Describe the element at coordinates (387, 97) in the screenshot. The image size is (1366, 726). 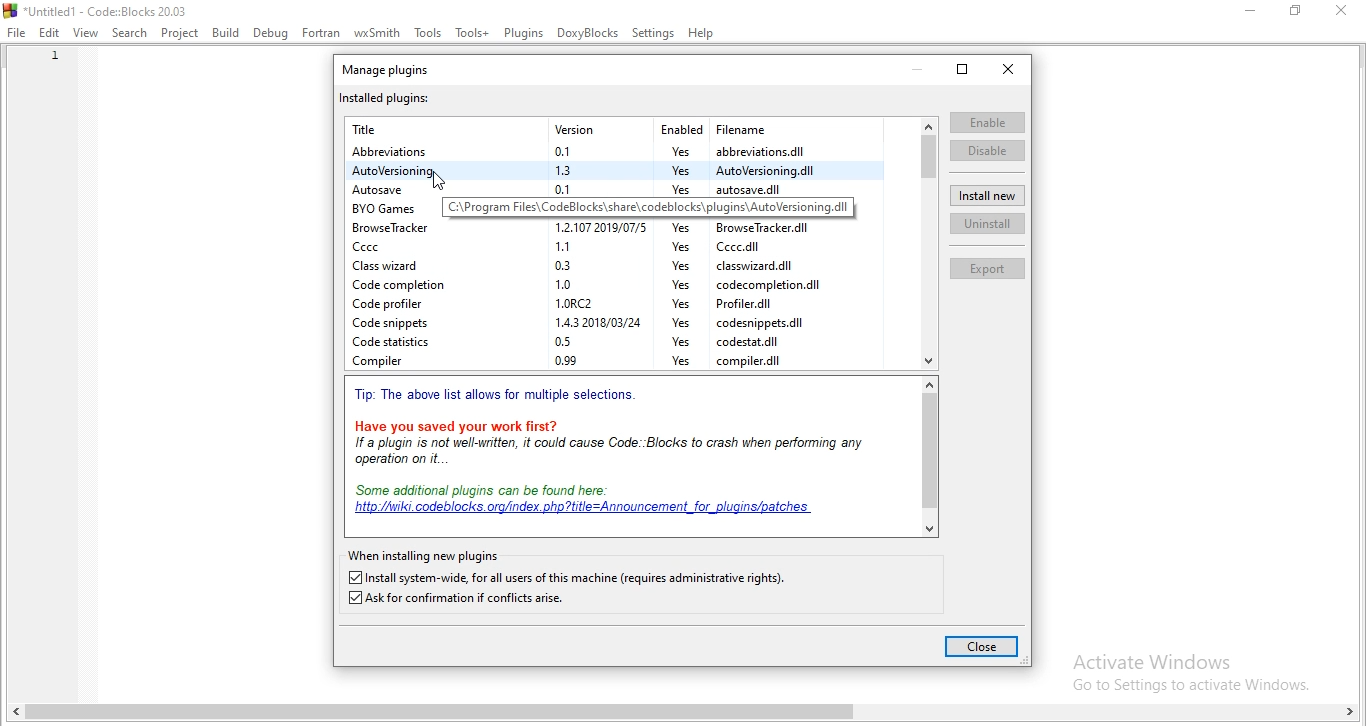
I see `installed plugins` at that location.